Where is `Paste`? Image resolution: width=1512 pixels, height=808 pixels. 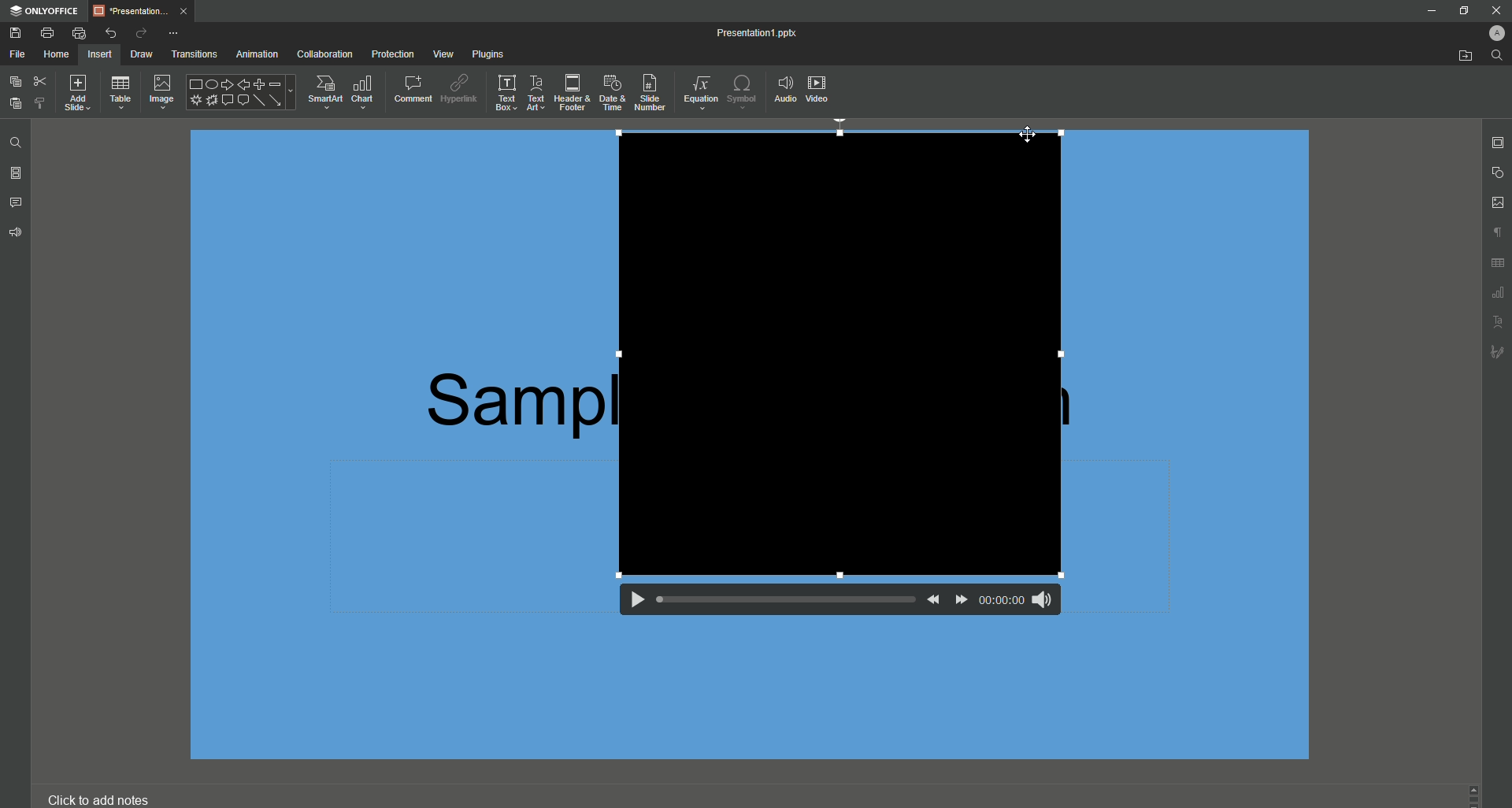 Paste is located at coordinates (14, 105).